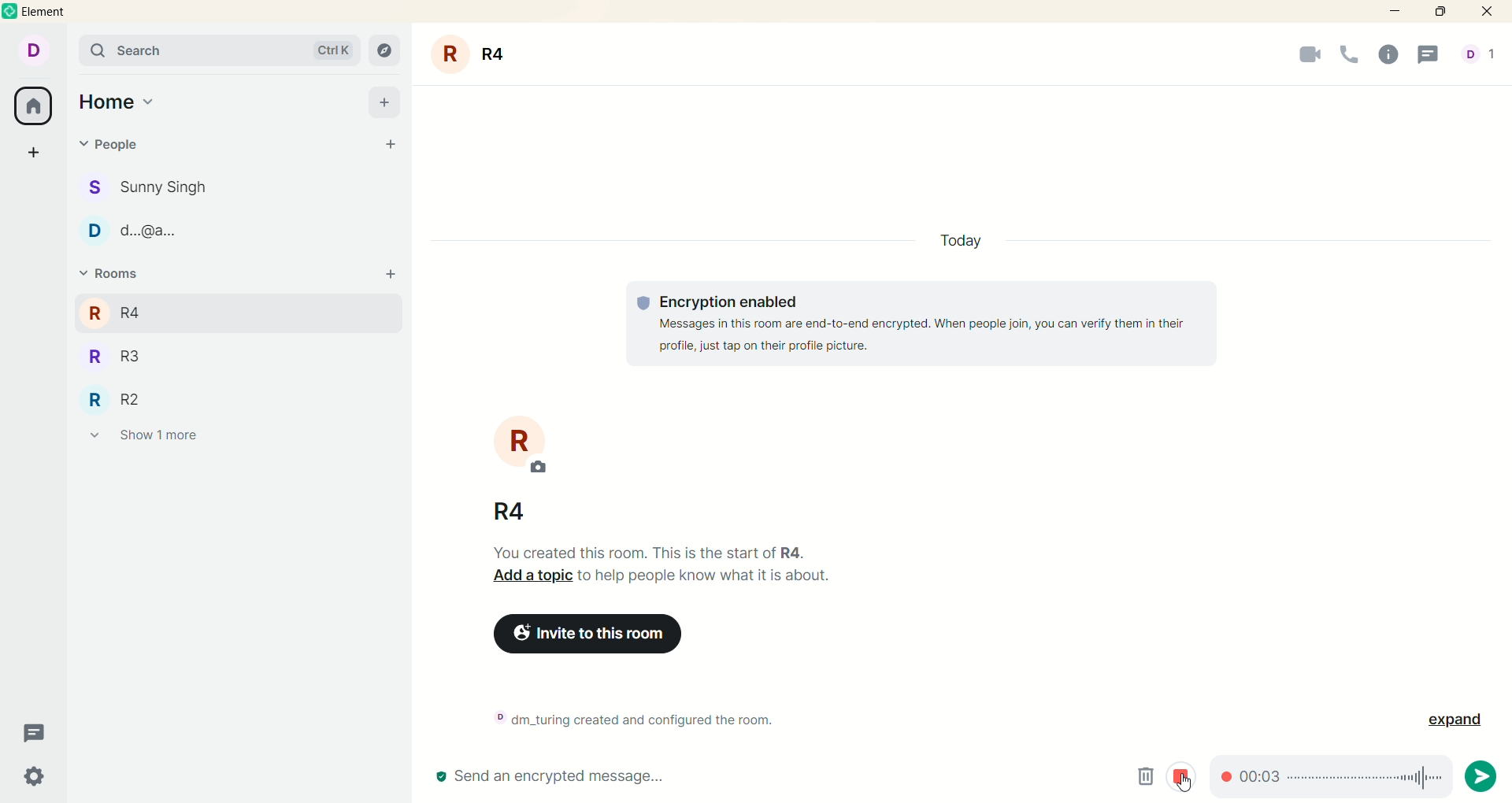 The image size is (1512, 803). Describe the element at coordinates (953, 240) in the screenshot. I see `today` at that location.